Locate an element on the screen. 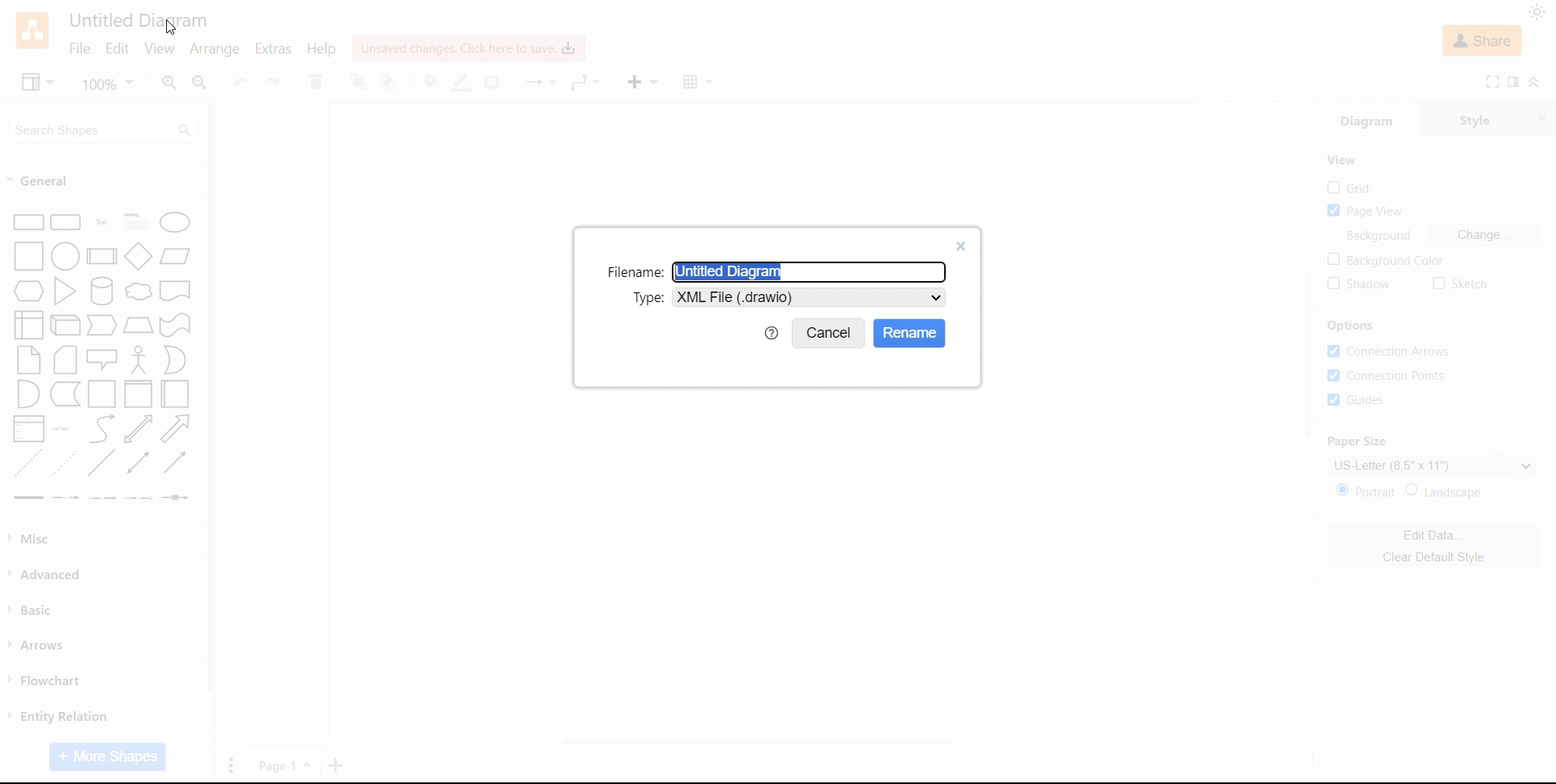 The height and width of the screenshot is (784, 1556). grid is located at coordinates (1349, 187).